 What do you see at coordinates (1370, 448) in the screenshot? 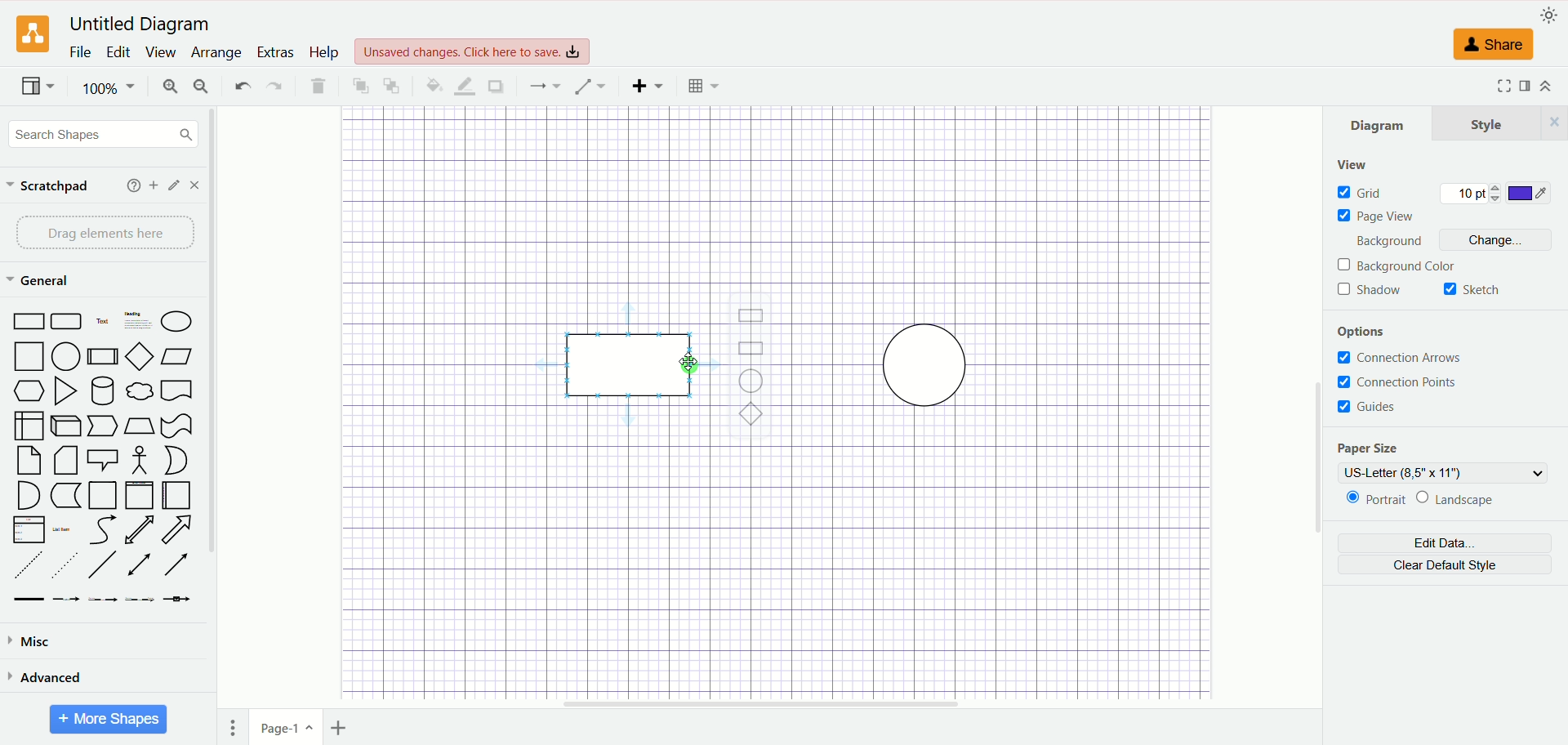
I see `paper size` at bounding box center [1370, 448].